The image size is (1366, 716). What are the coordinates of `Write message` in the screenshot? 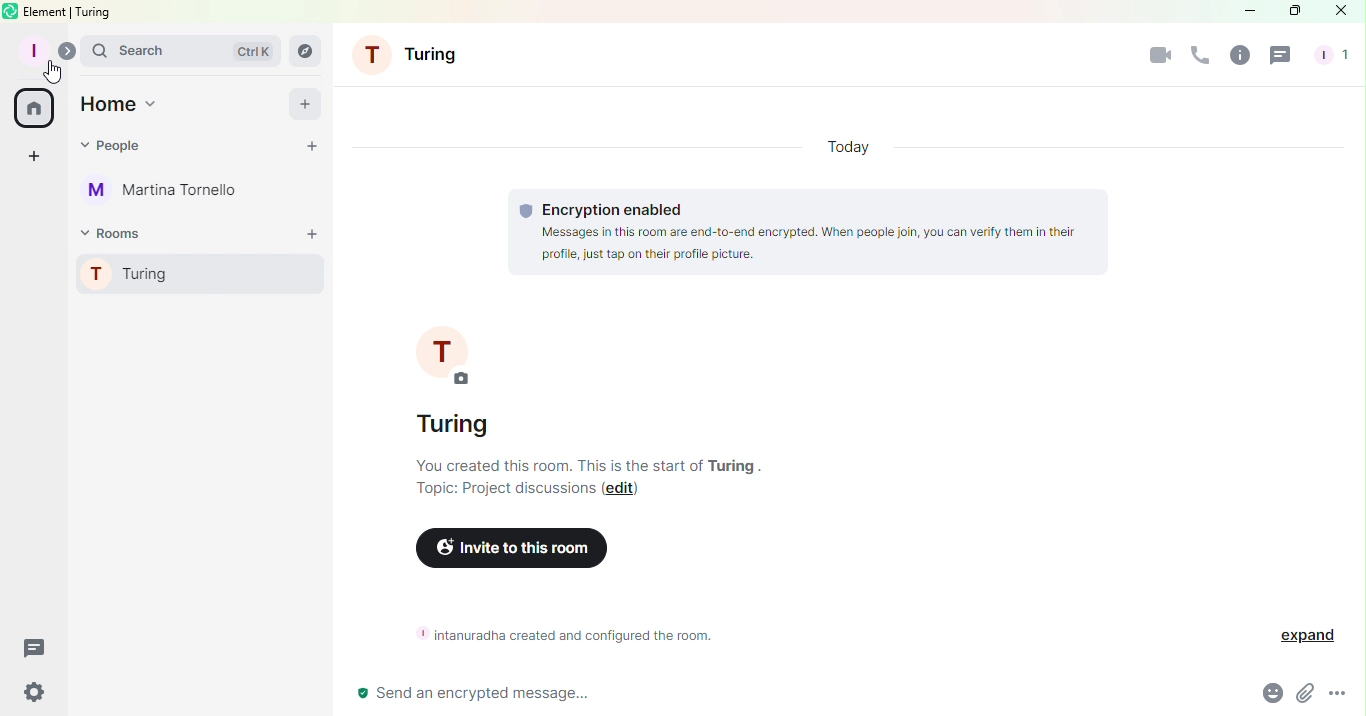 It's located at (786, 692).